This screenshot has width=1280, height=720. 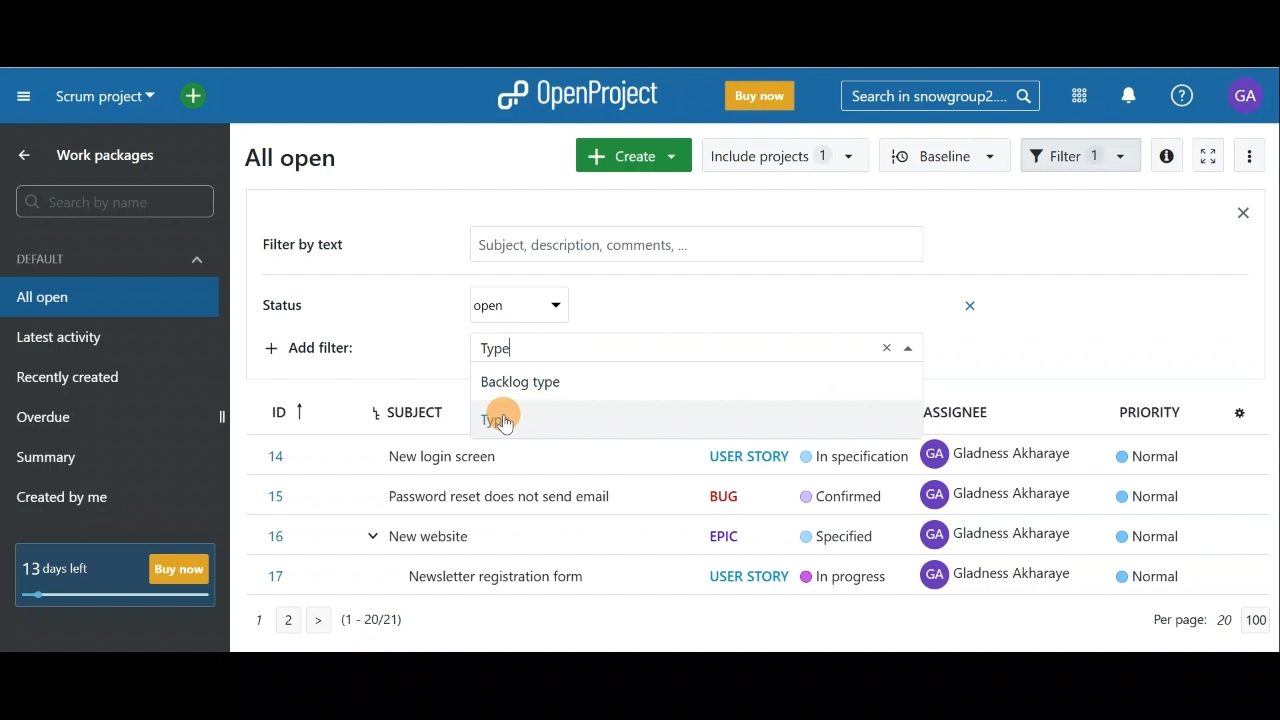 I want to click on Collapse project menu, so click(x=25, y=95).